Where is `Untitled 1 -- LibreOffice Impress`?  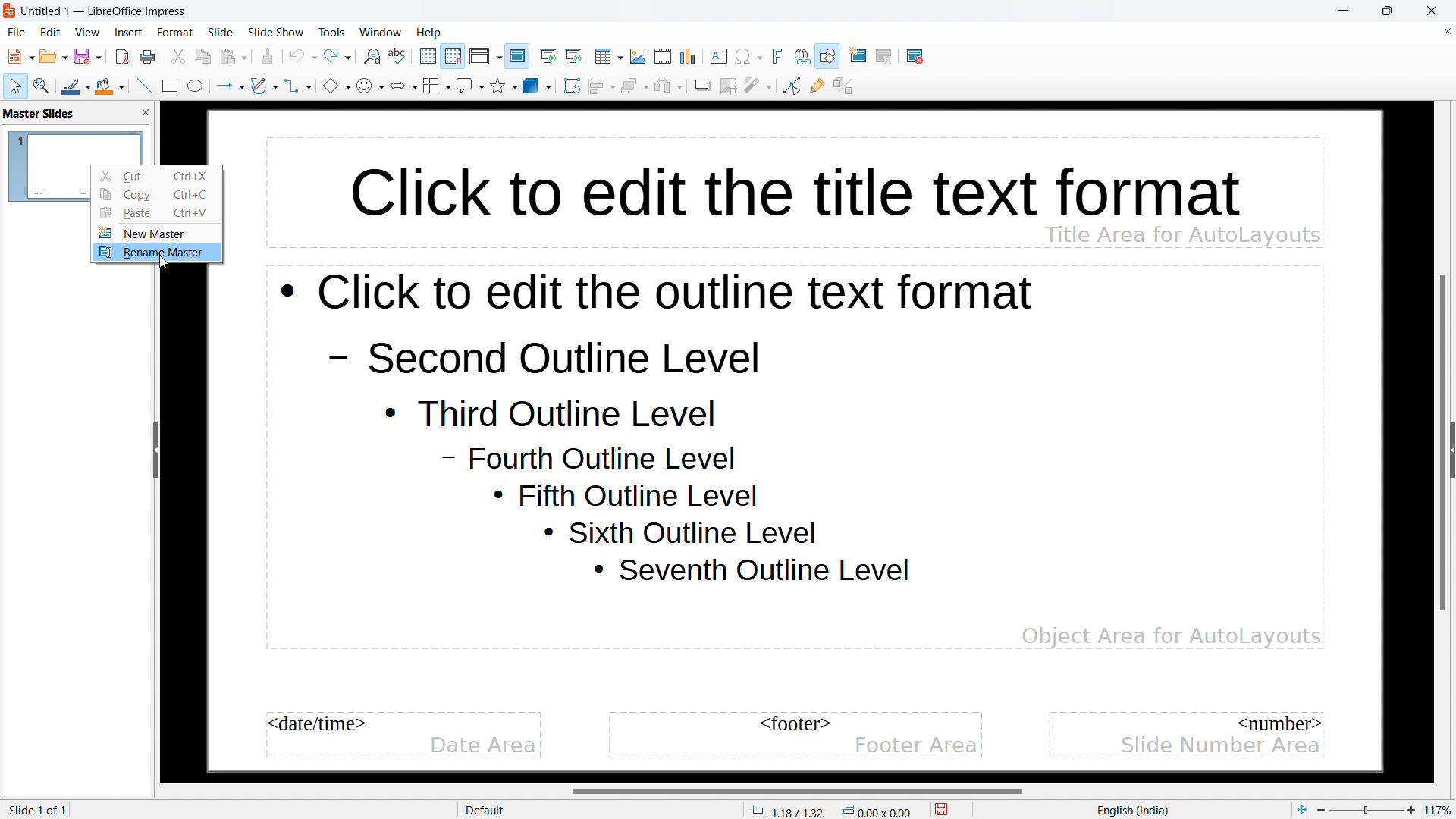 Untitled 1 -- LibreOffice Impress is located at coordinates (104, 11).